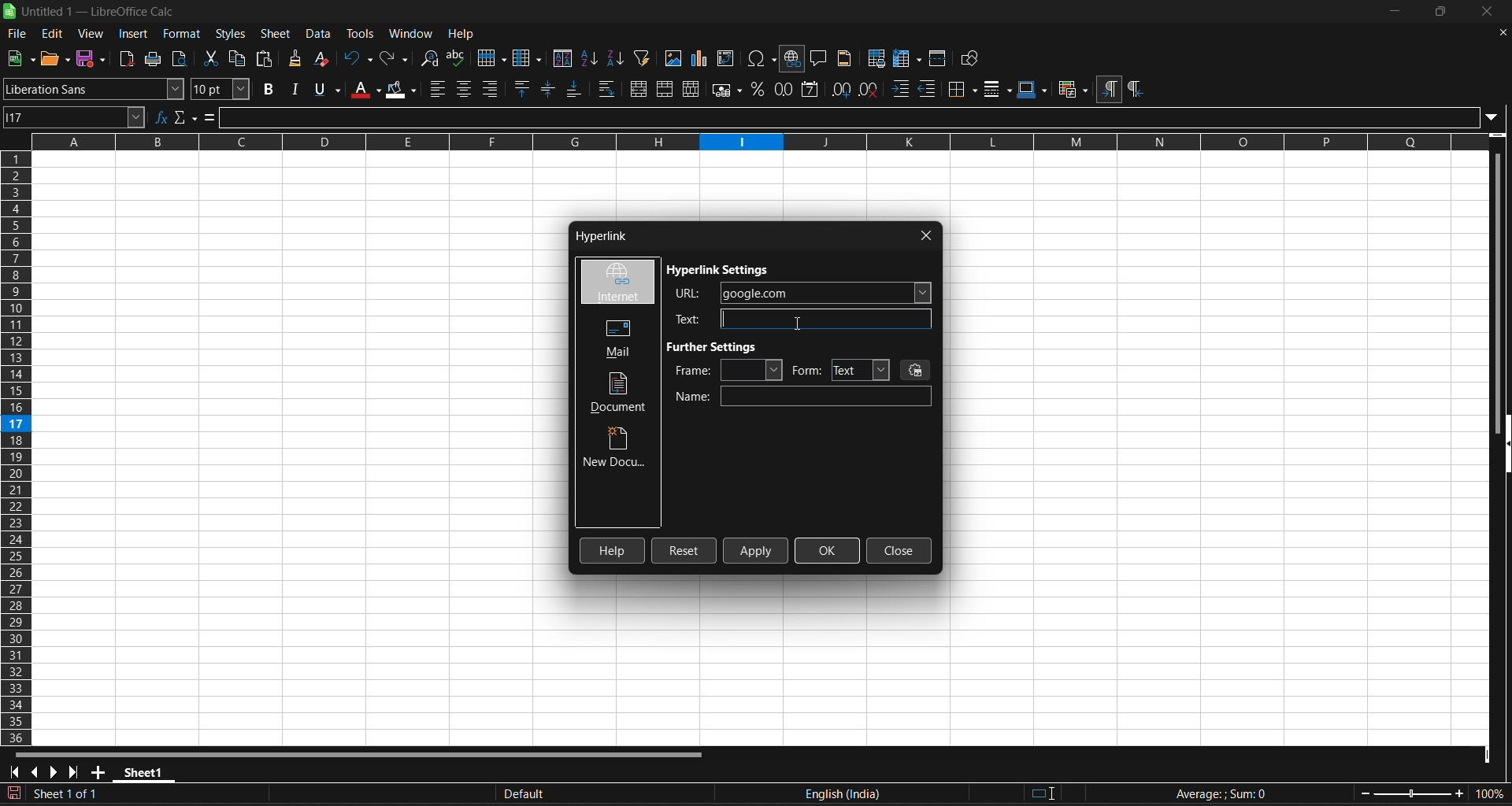 The height and width of the screenshot is (806, 1512). I want to click on underline, so click(326, 89).